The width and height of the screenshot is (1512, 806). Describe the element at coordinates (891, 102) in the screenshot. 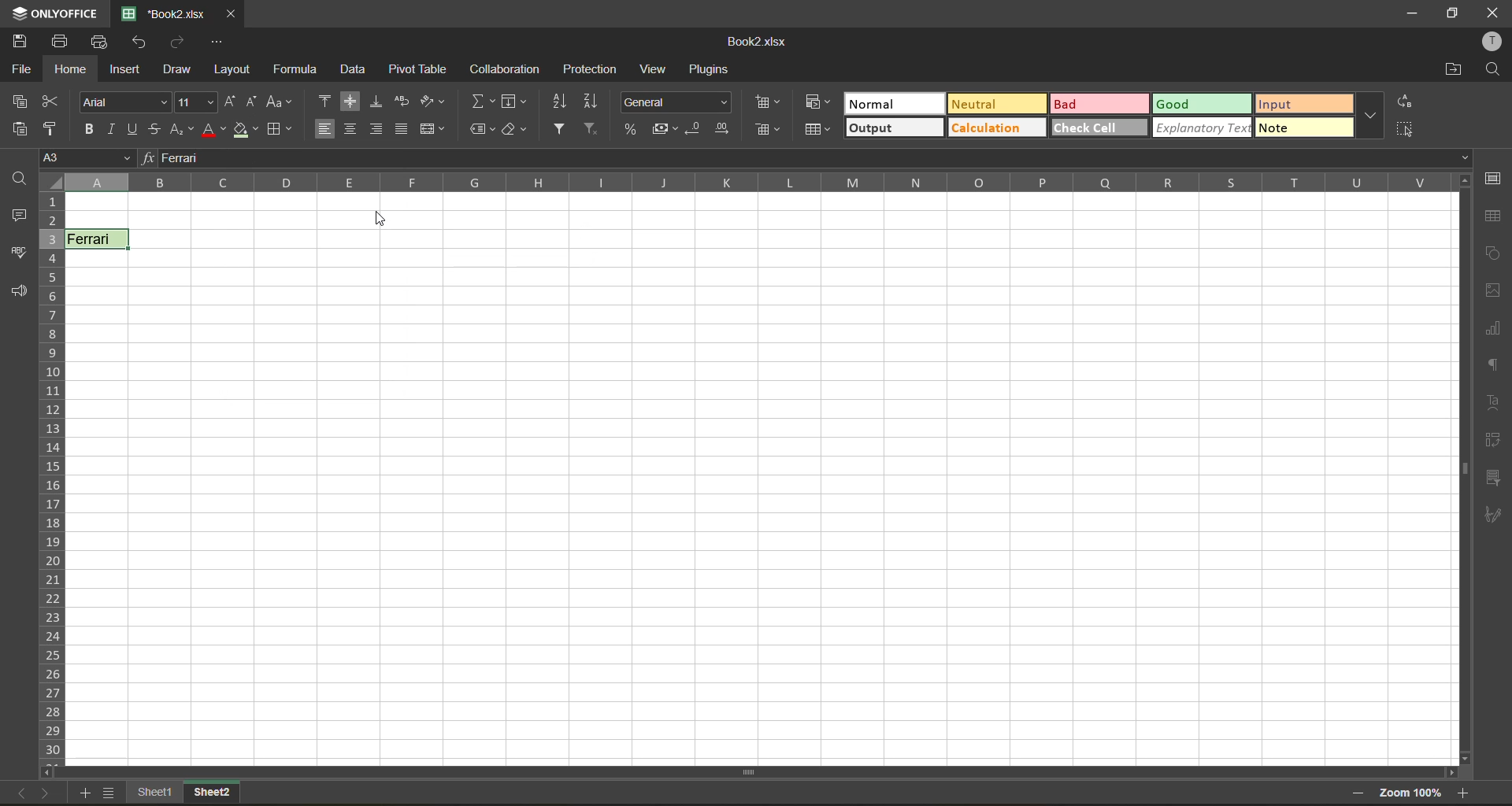

I see `normal` at that location.